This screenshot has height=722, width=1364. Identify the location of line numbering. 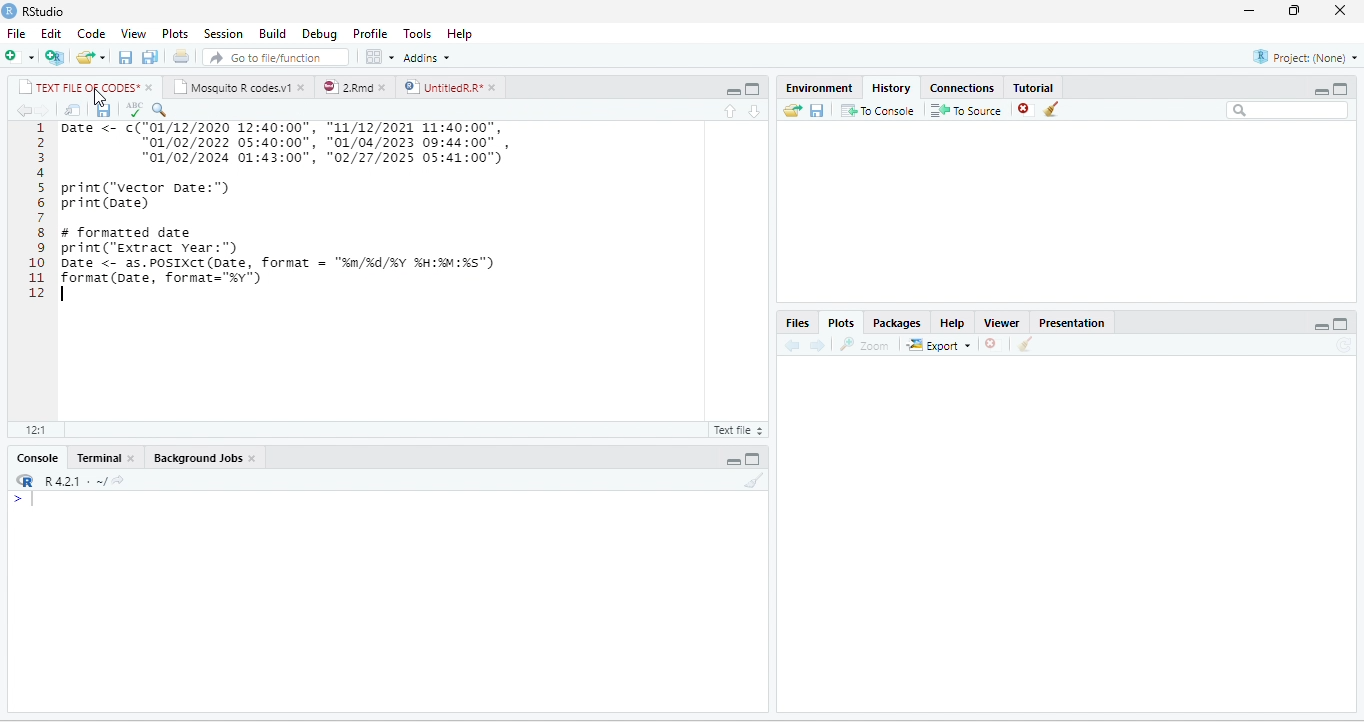
(37, 210).